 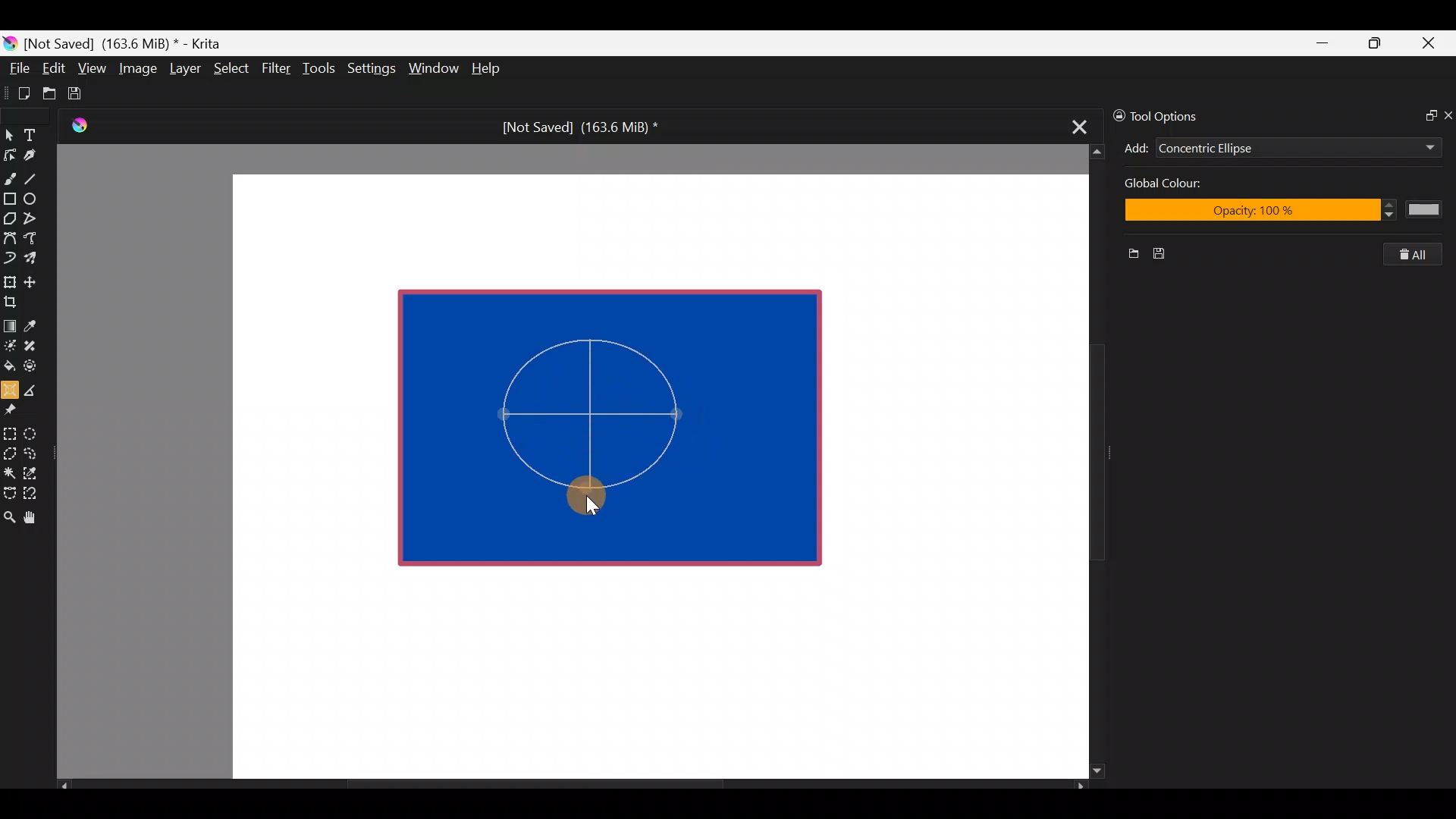 I want to click on Image, so click(x=137, y=68).